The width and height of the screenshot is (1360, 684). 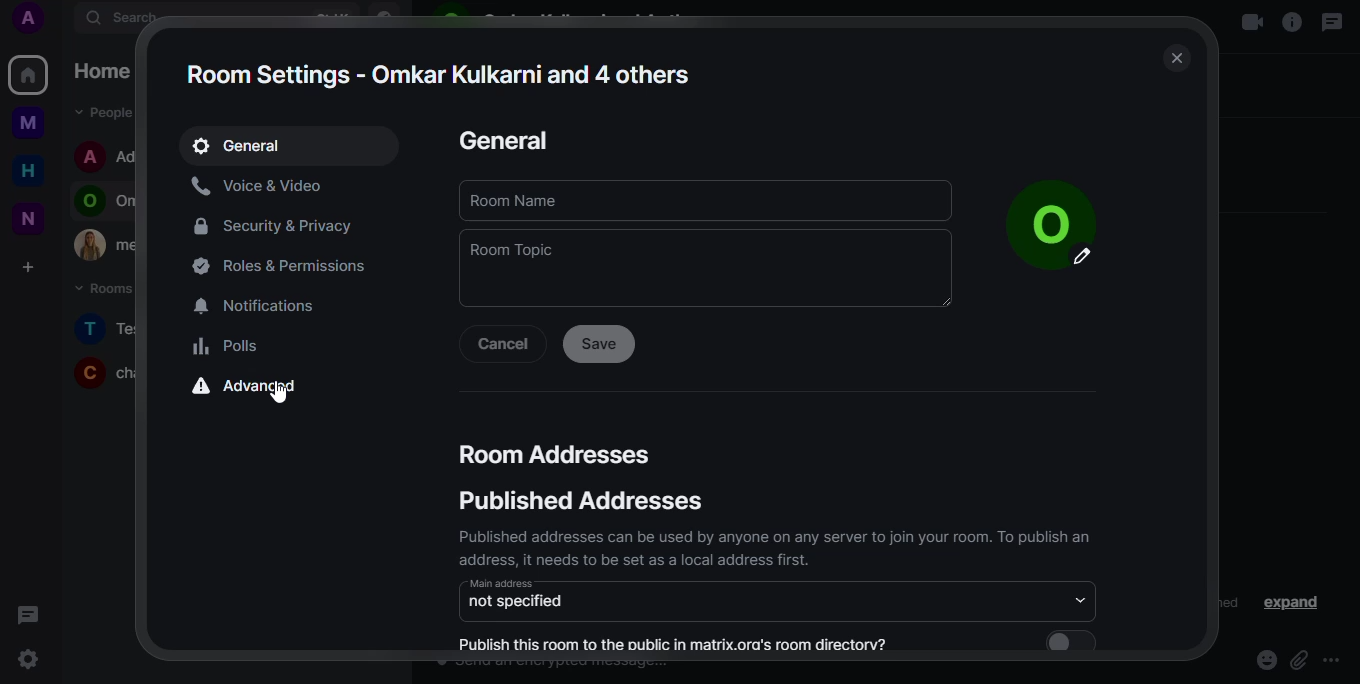 What do you see at coordinates (773, 546) in the screenshot?
I see `info` at bounding box center [773, 546].